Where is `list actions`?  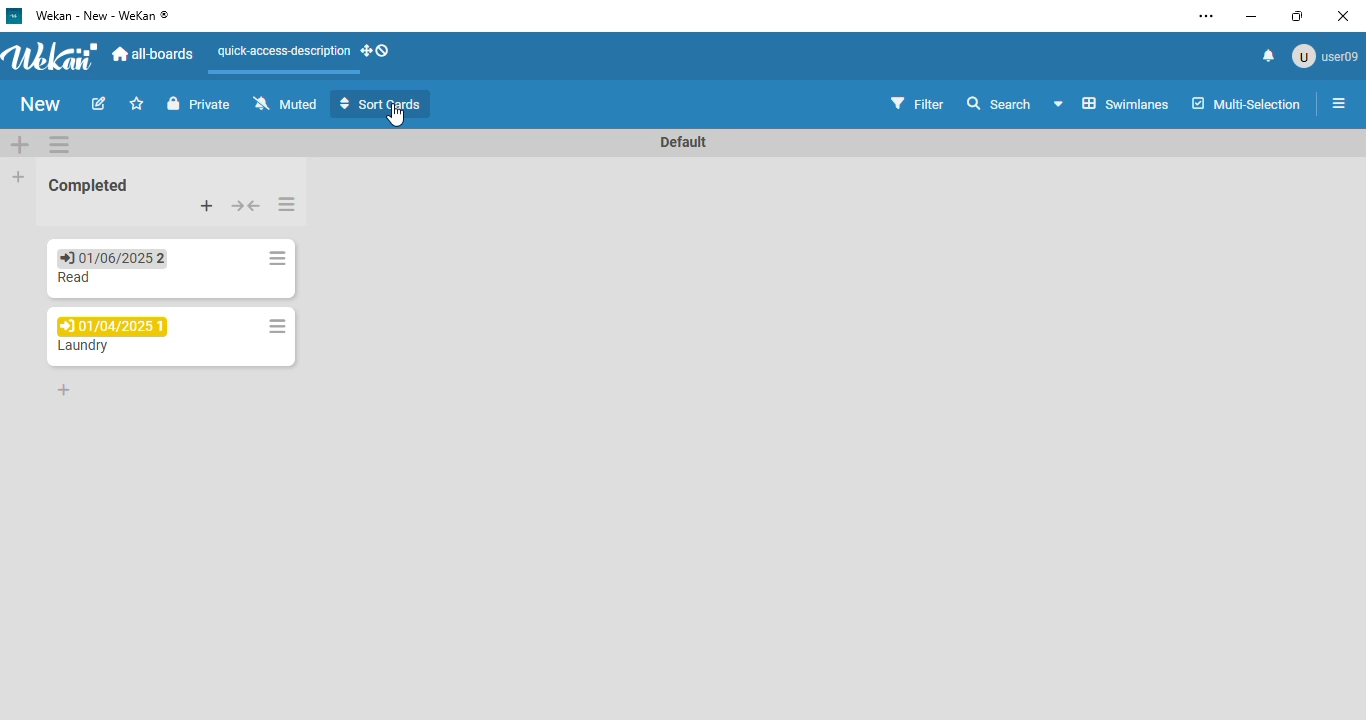 list actions is located at coordinates (287, 204).